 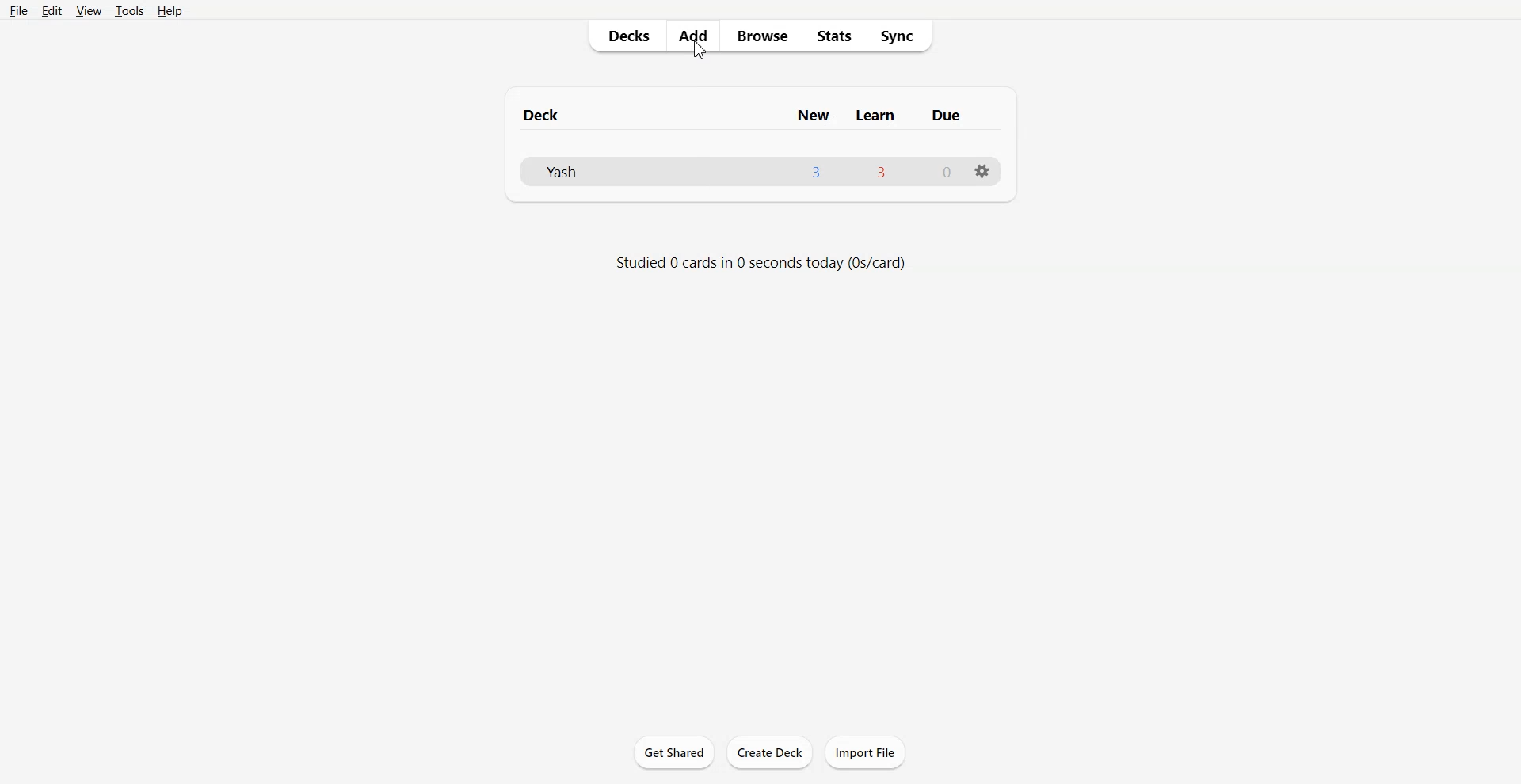 What do you see at coordinates (820, 172) in the screenshot?
I see `3` at bounding box center [820, 172].